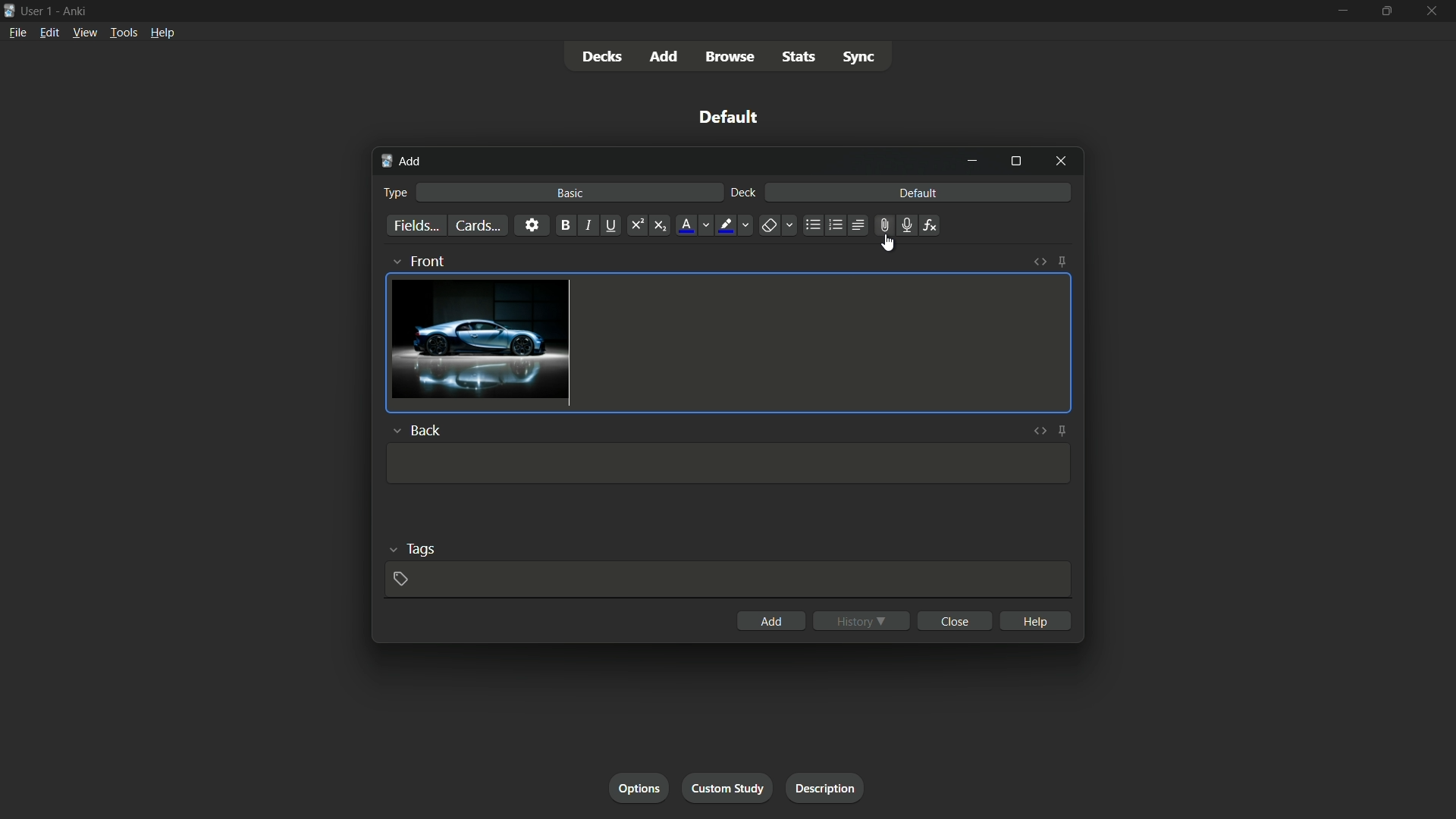 The width and height of the screenshot is (1456, 819). I want to click on remove formatting, so click(779, 226).